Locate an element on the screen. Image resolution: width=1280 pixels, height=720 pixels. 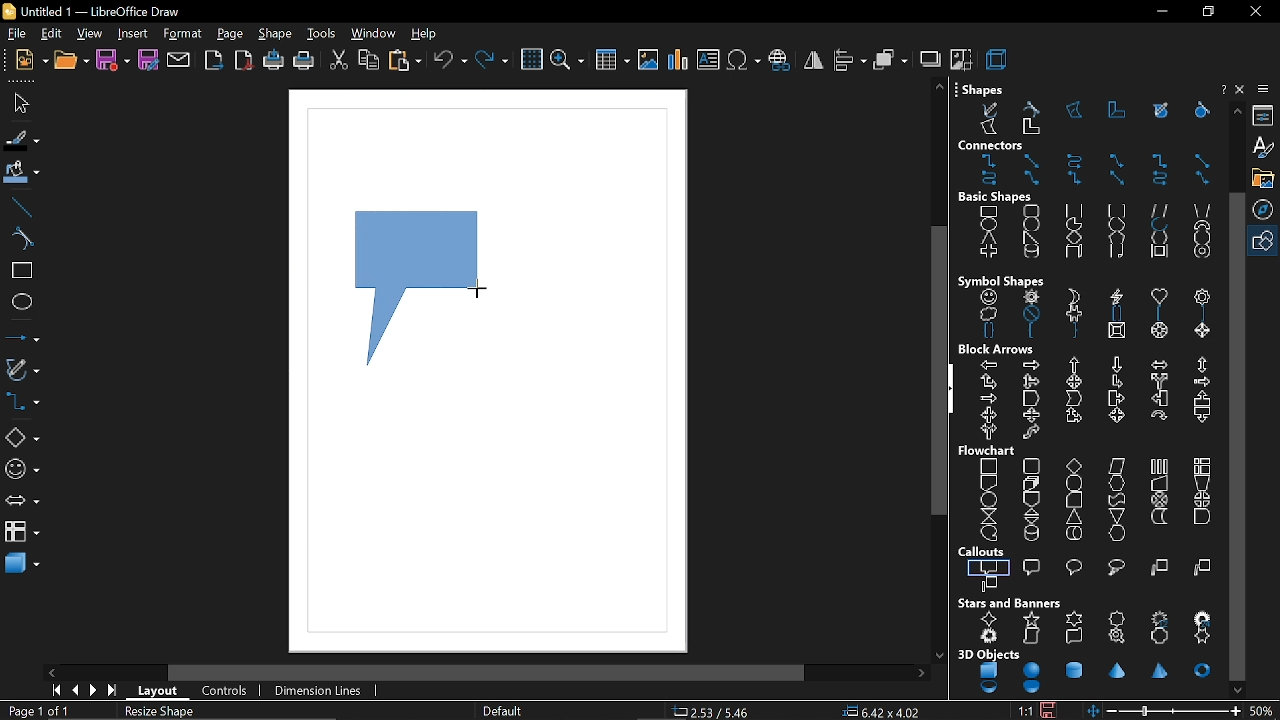
notched right arrow is located at coordinates (987, 399).